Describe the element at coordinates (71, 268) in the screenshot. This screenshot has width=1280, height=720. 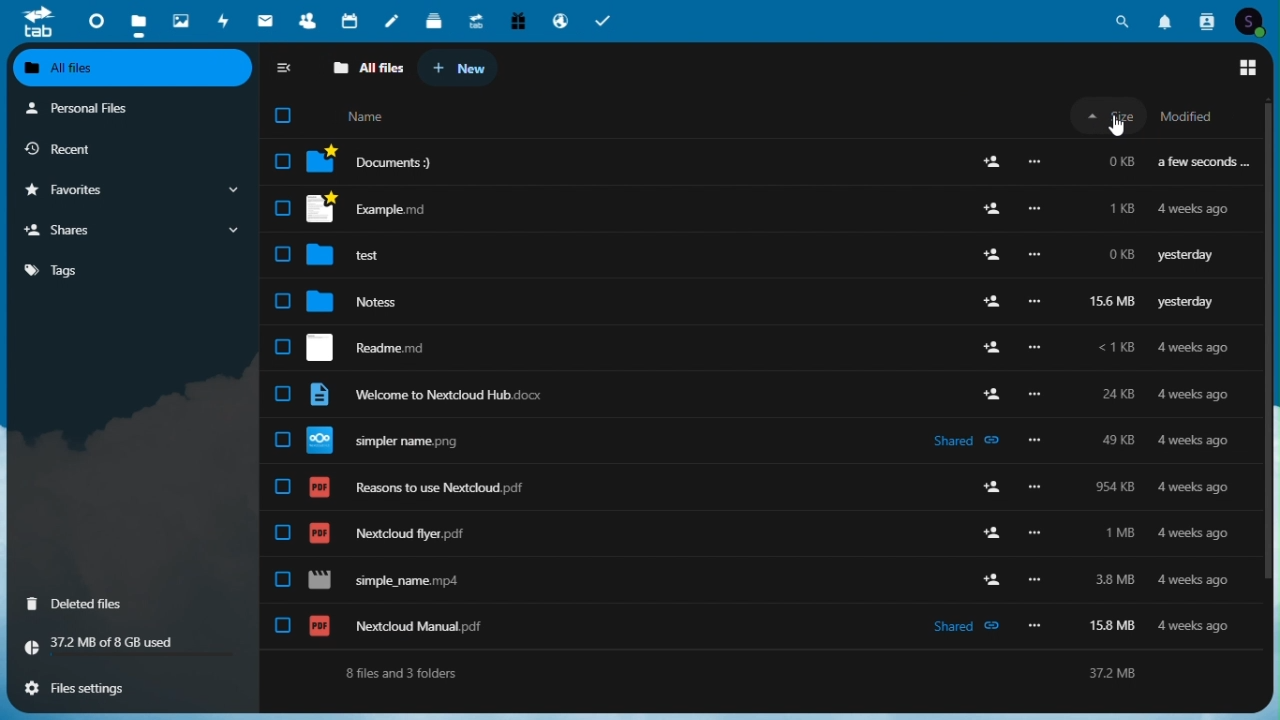
I see `Tag` at that location.